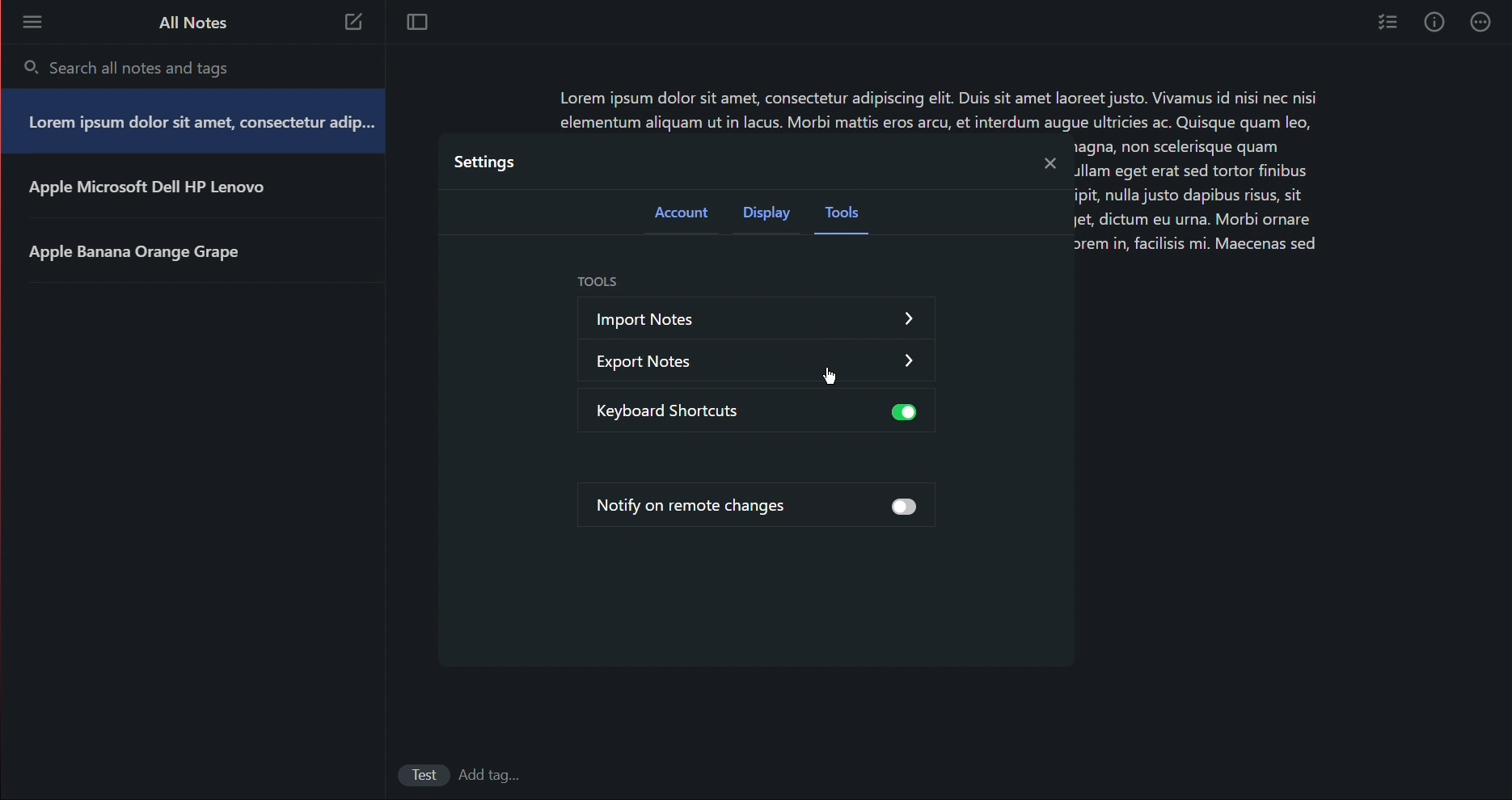  What do you see at coordinates (483, 162) in the screenshot?
I see `Settings` at bounding box center [483, 162].